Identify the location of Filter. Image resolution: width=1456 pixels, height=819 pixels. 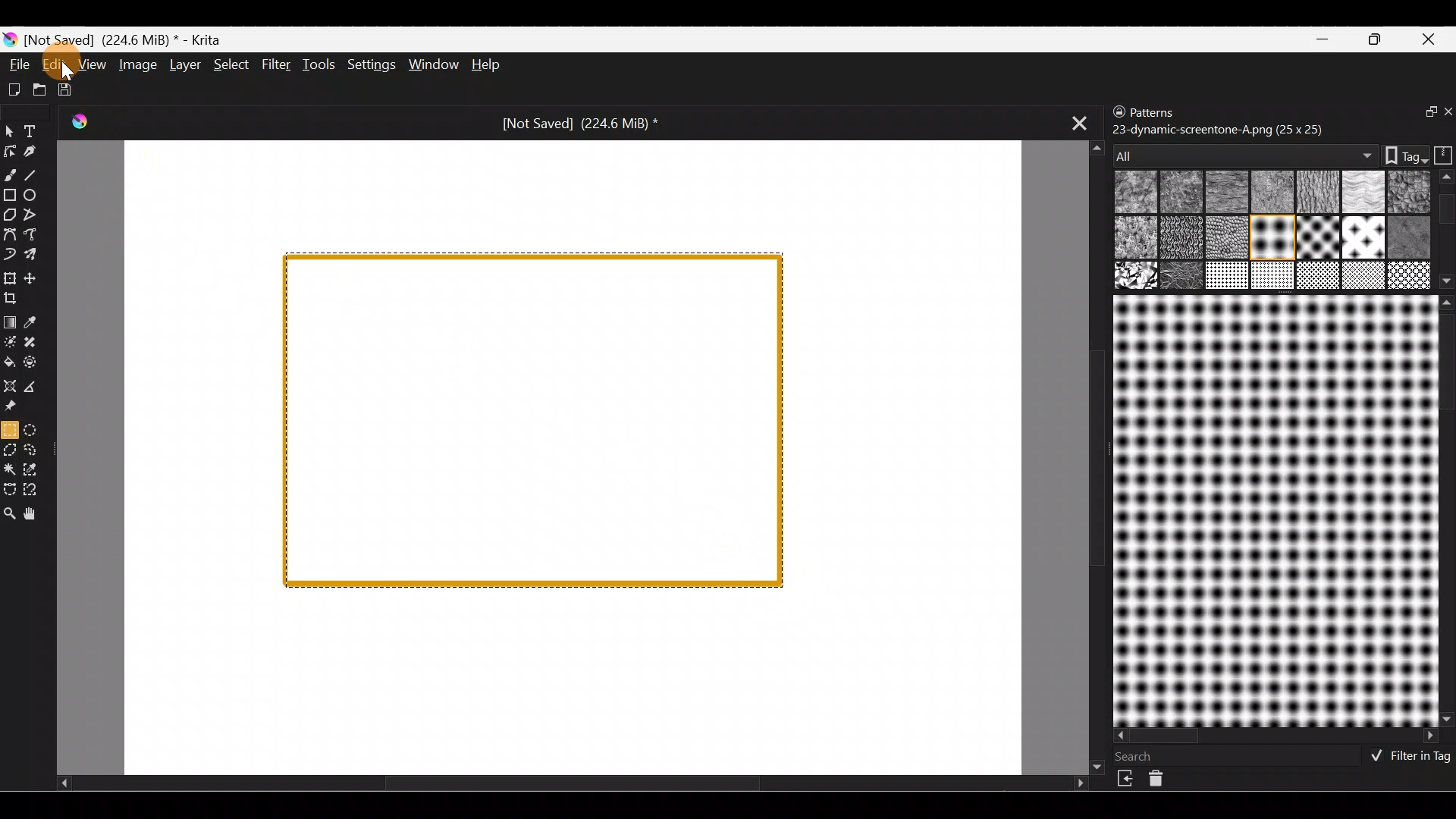
(276, 63).